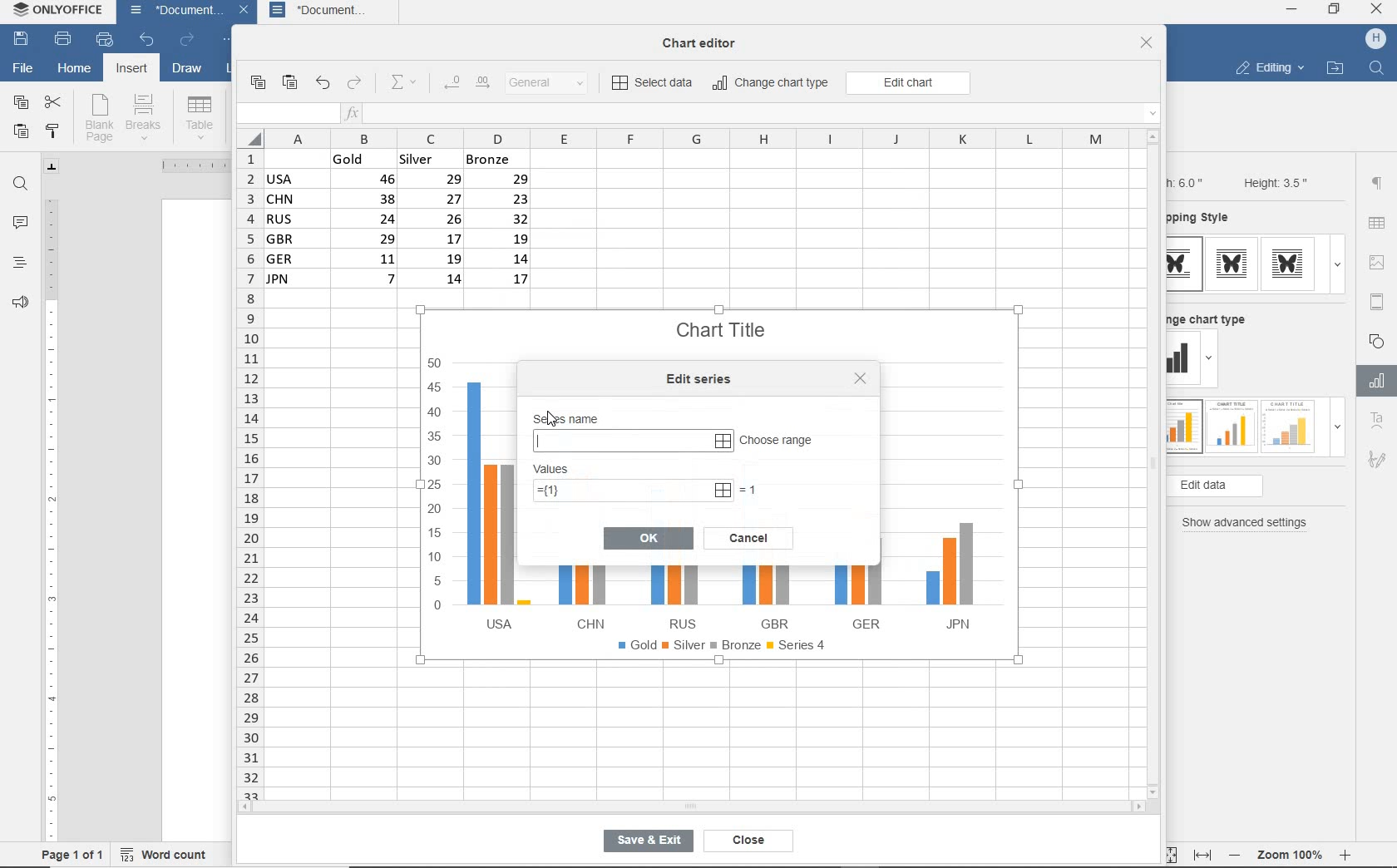 The image size is (1397, 868). What do you see at coordinates (1242, 486) in the screenshot?
I see `edit data` at bounding box center [1242, 486].